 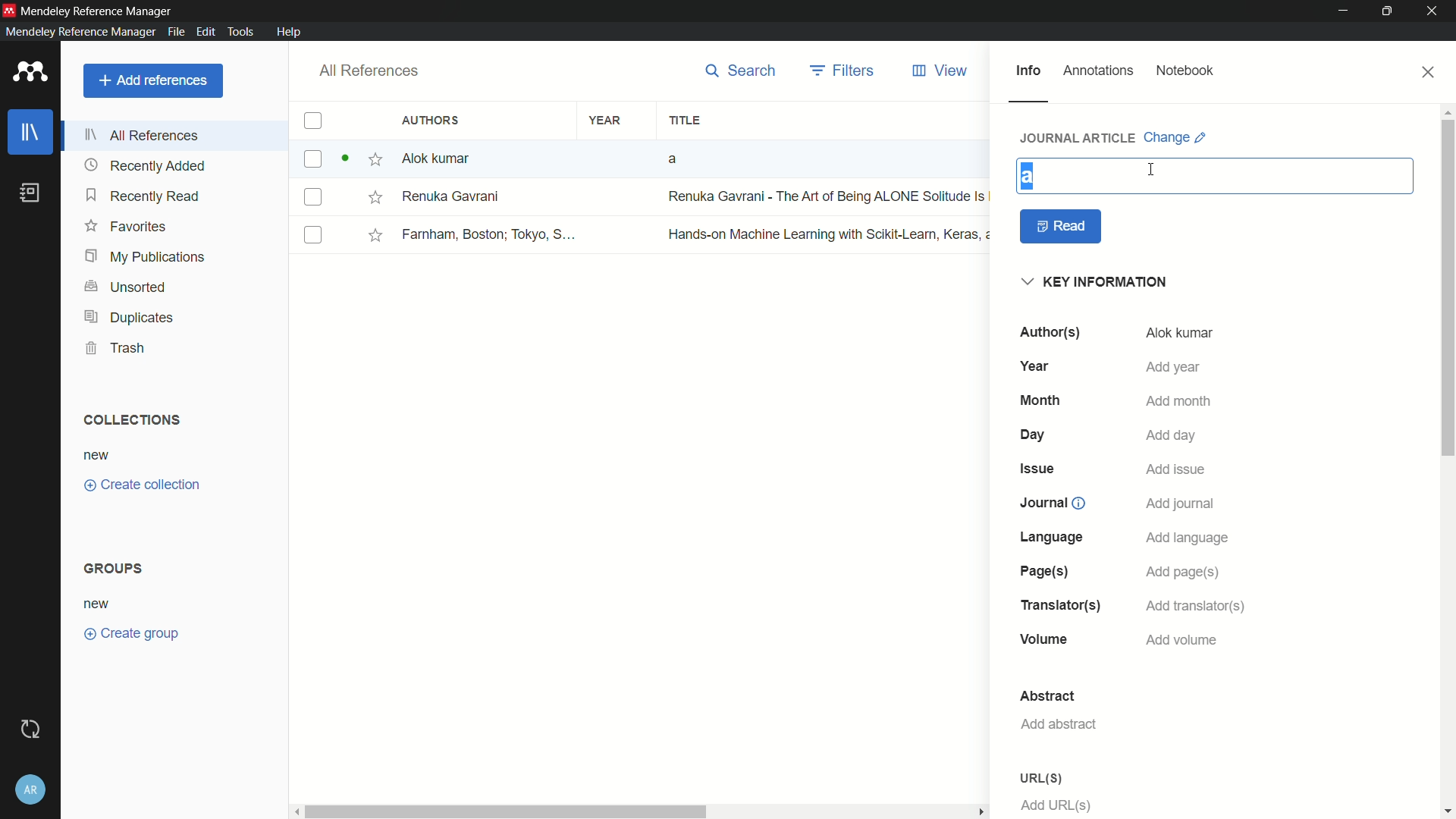 I want to click on authors, so click(x=1049, y=332).